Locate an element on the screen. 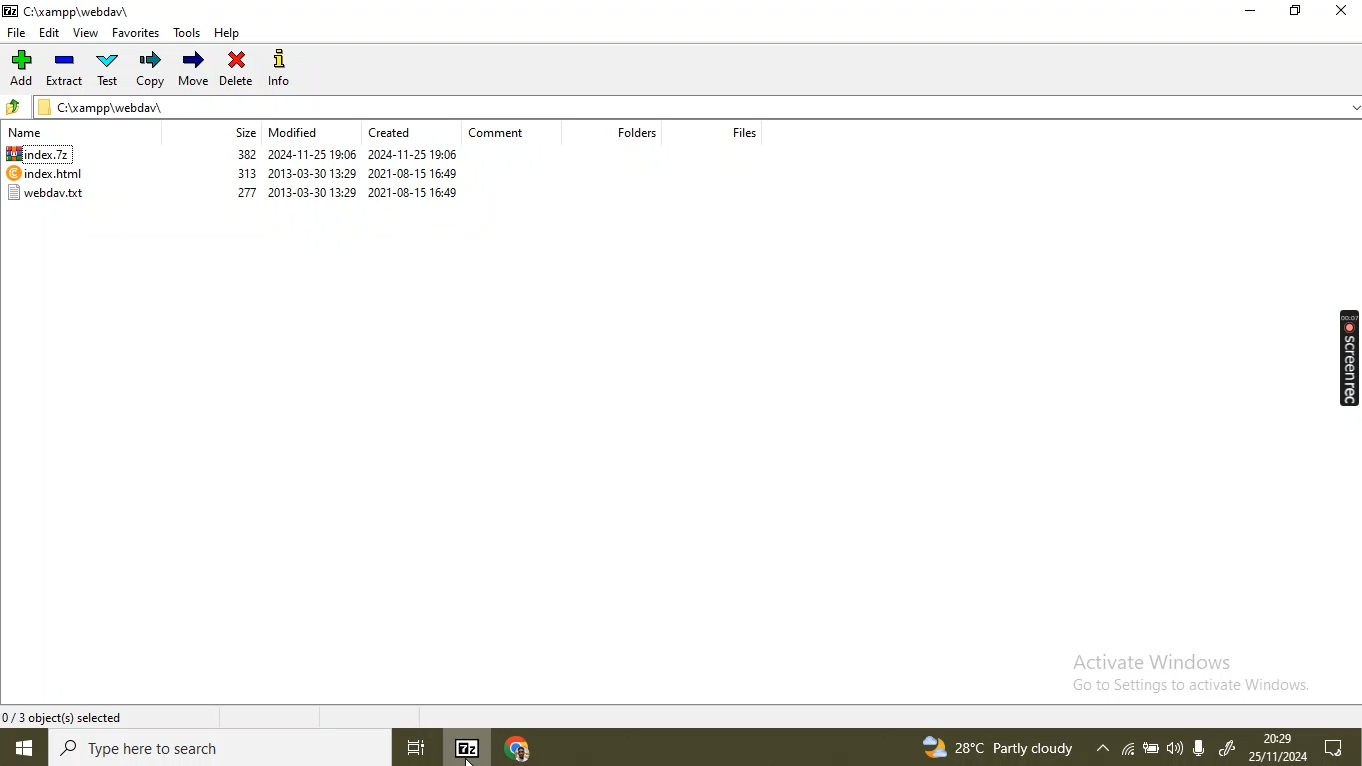  C\xampp\webdav\ is located at coordinates (84, 10).